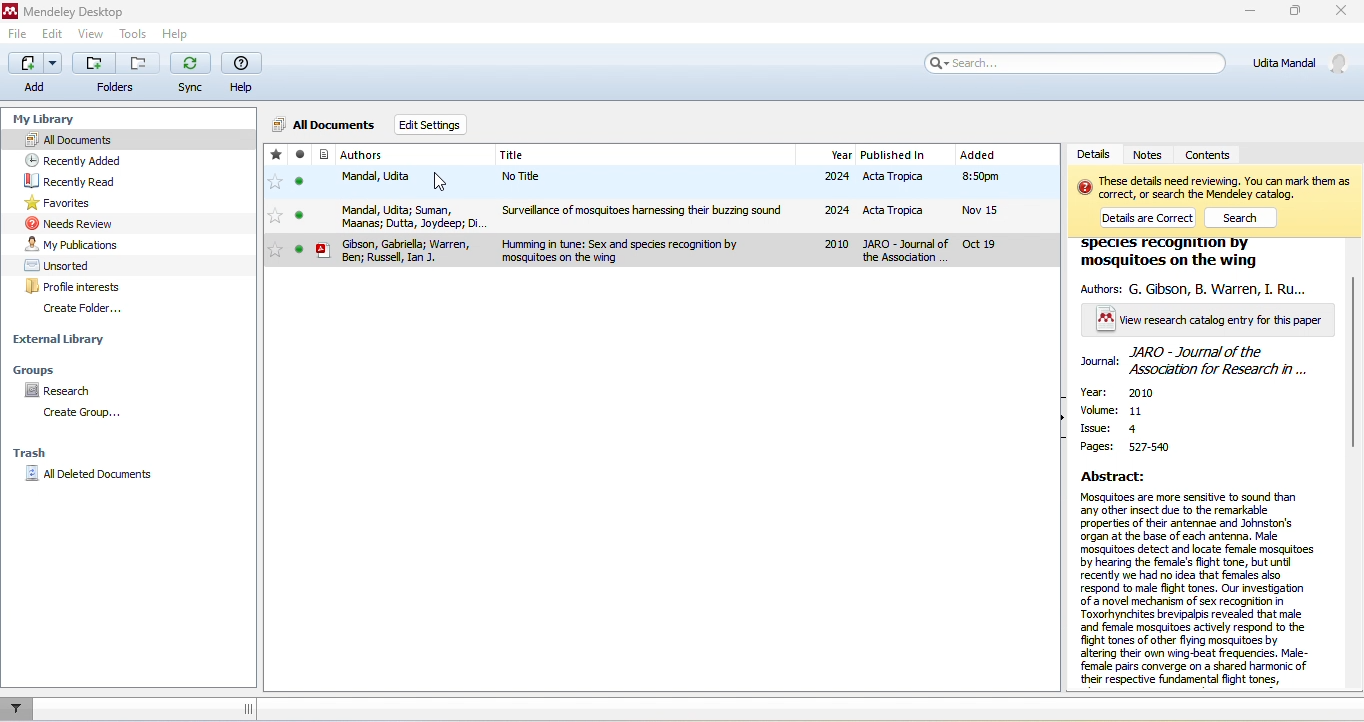  Describe the element at coordinates (830, 155) in the screenshot. I see `year` at that location.